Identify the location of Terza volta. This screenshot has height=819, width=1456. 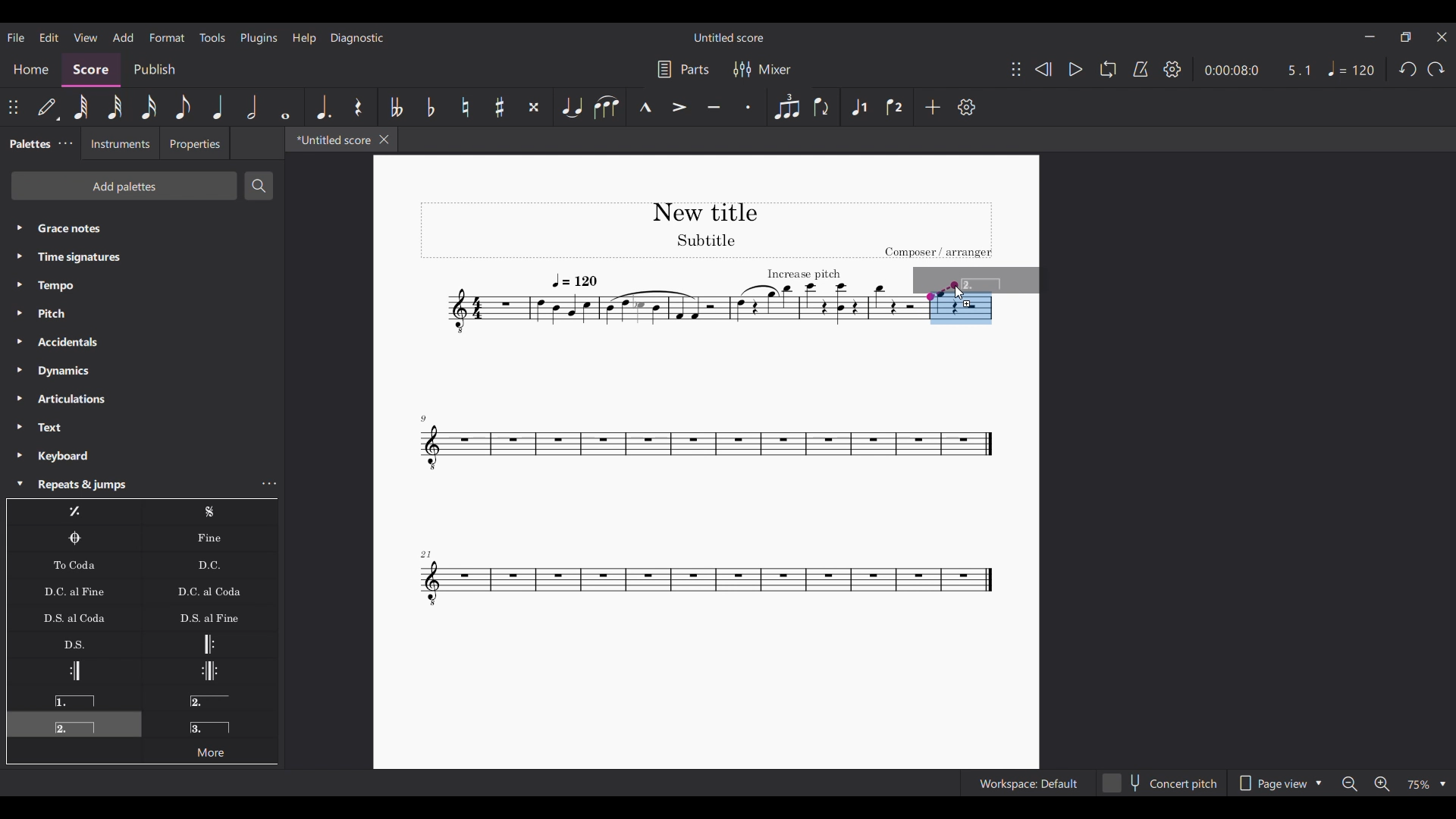
(210, 723).